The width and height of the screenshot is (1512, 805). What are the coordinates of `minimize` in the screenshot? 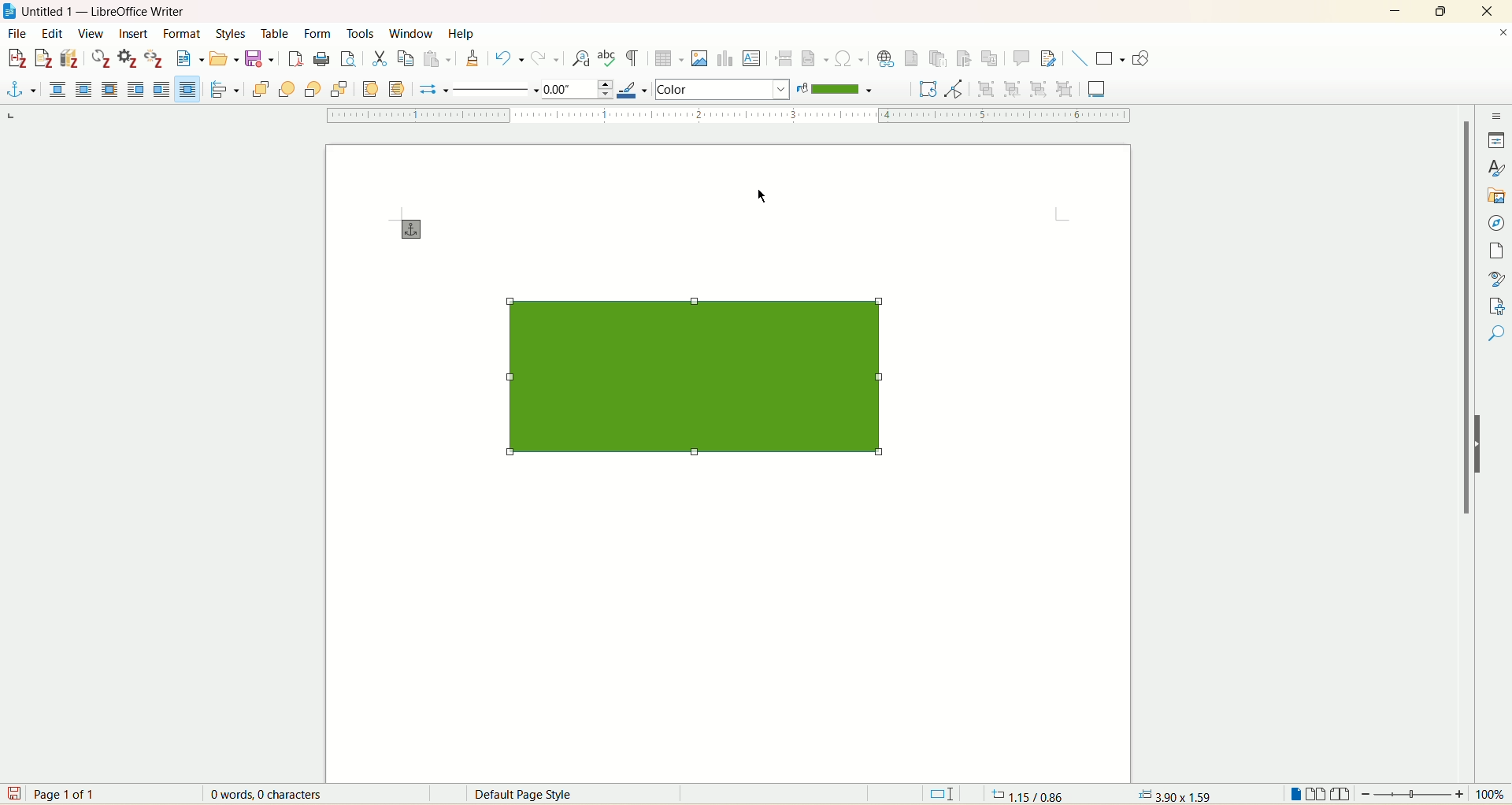 It's located at (1396, 12).